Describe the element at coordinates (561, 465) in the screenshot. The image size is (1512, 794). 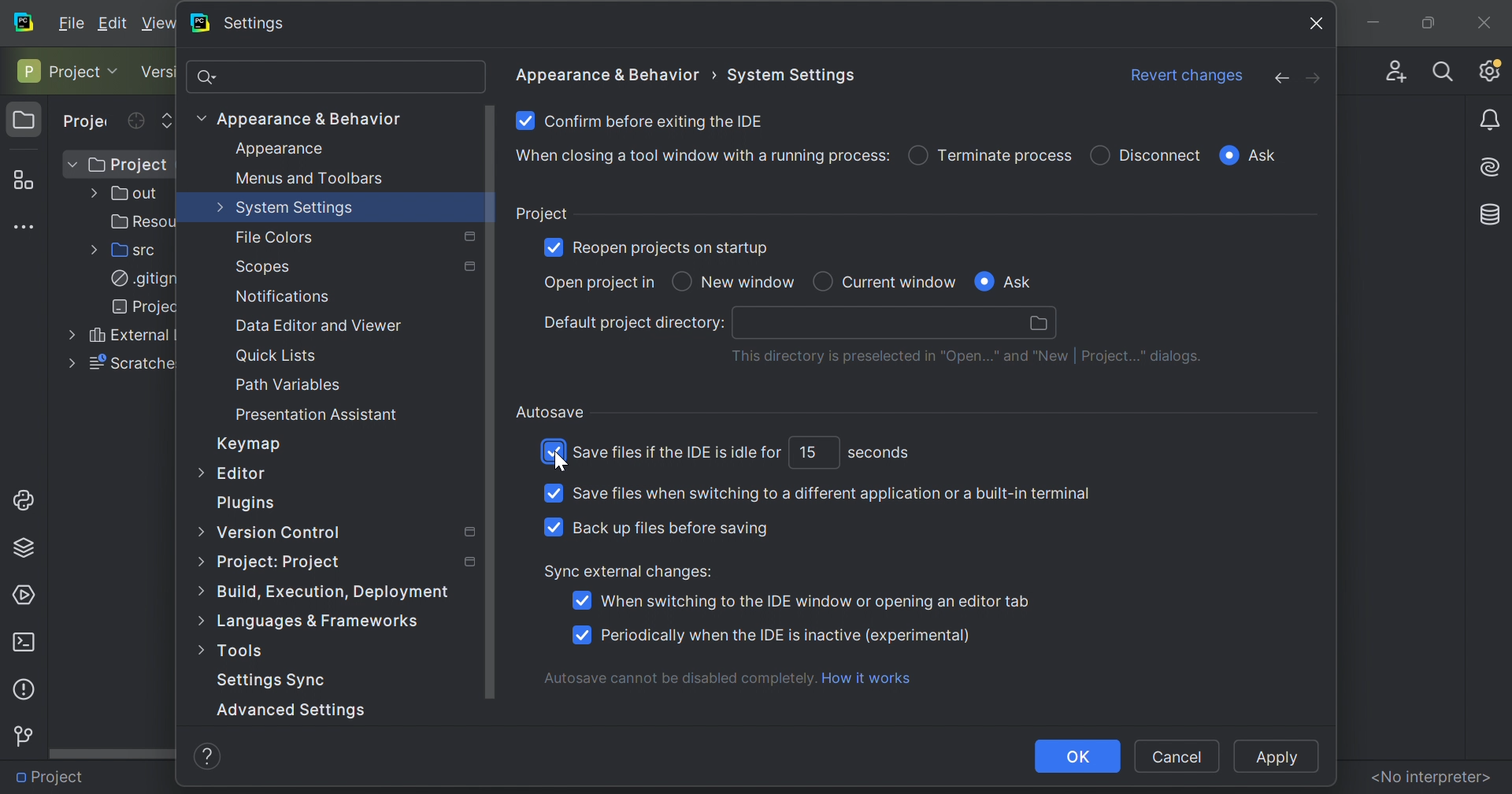
I see `cursor` at that location.